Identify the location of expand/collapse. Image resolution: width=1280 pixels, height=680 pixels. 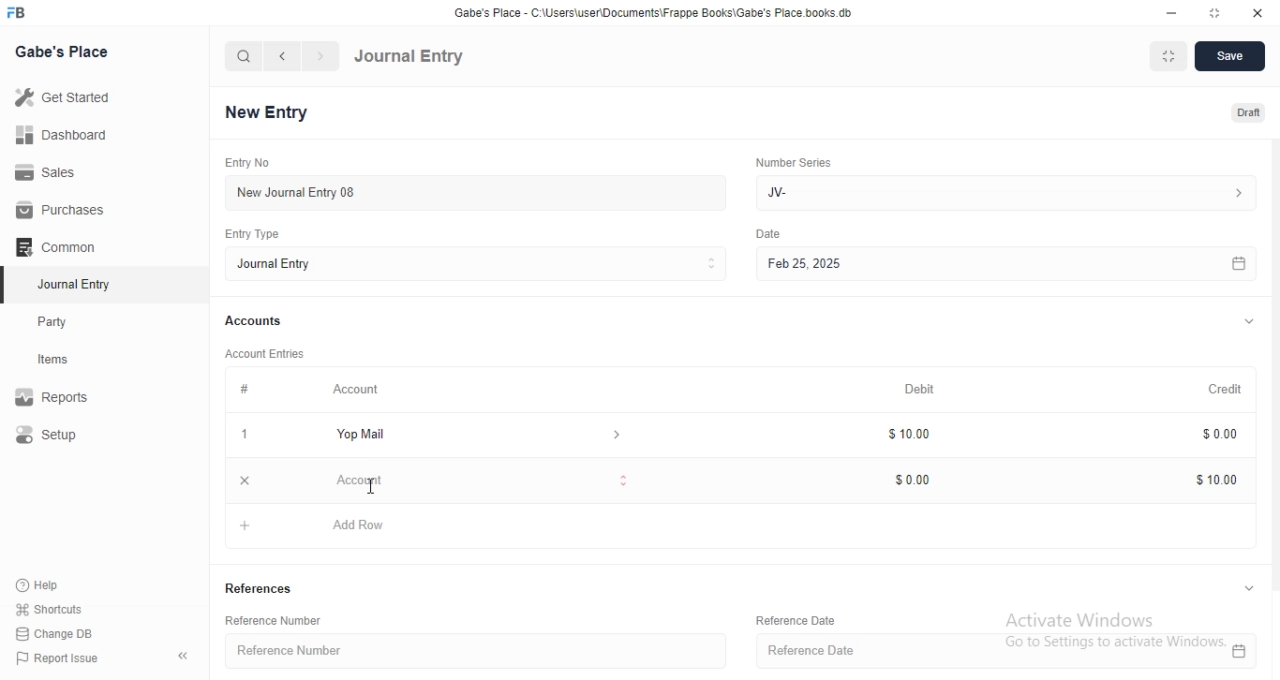
(1248, 323).